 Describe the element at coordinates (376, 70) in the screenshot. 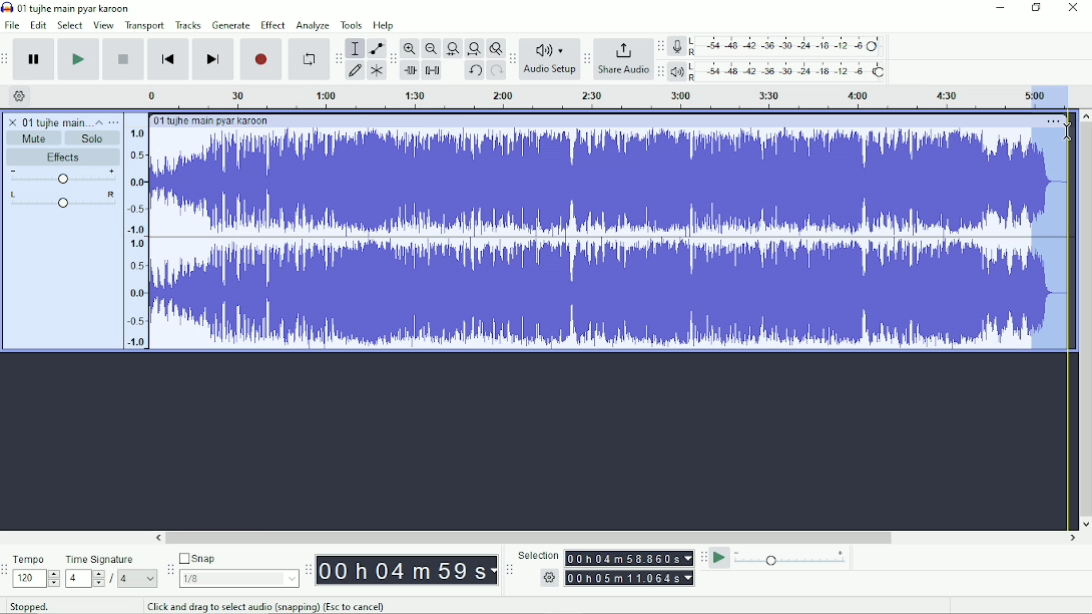

I see `Multi-tool` at that location.